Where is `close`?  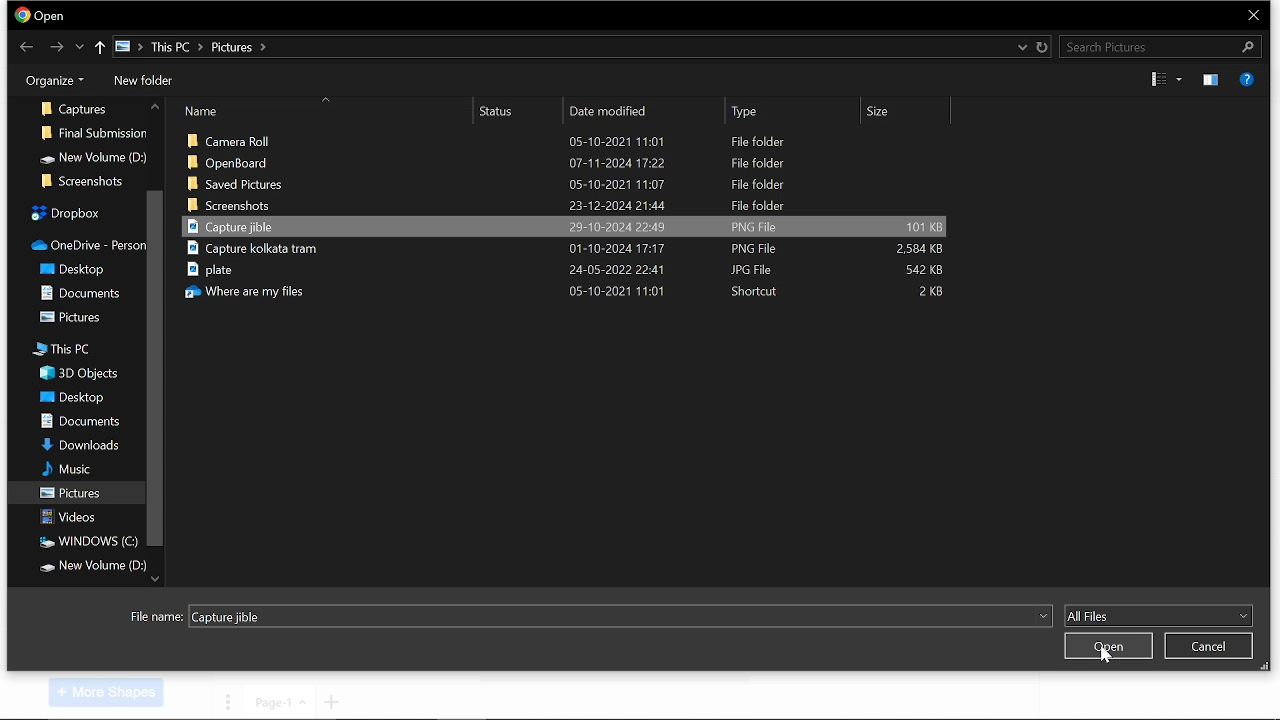 close is located at coordinates (1254, 15).